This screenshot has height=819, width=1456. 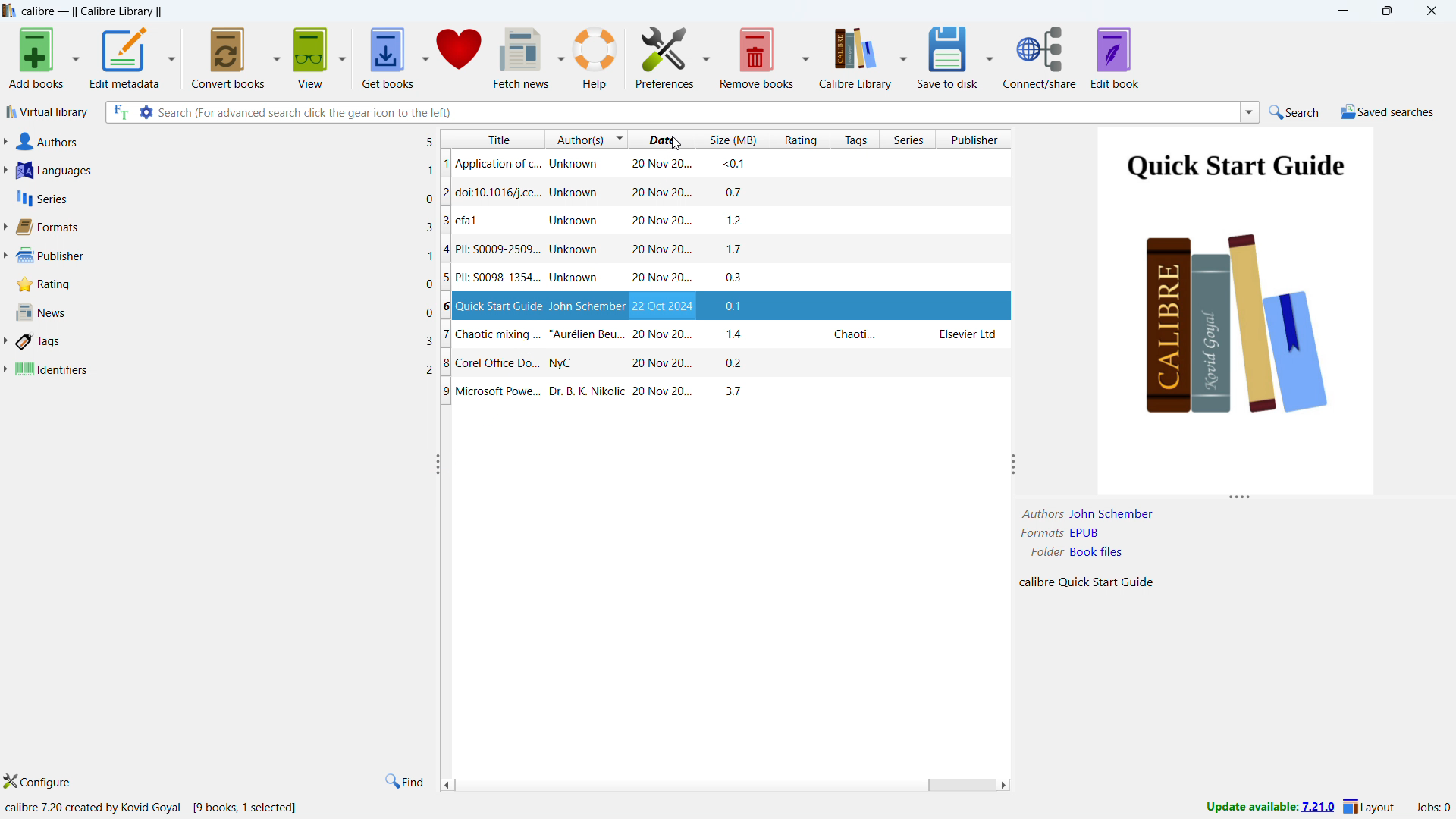 I want to click on john Schember, so click(x=1110, y=513).